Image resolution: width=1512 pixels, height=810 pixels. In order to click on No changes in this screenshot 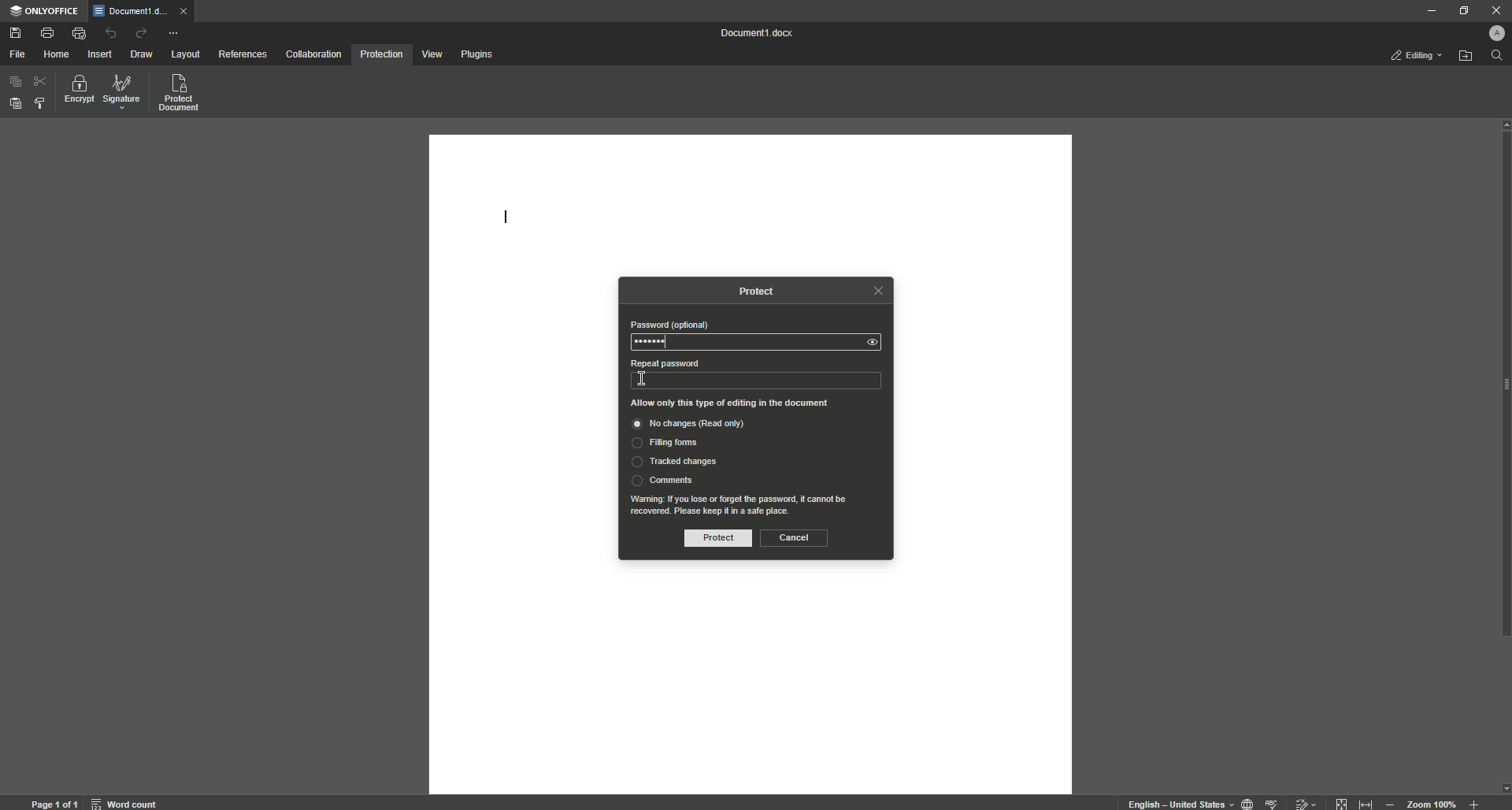, I will do `click(704, 425)`.